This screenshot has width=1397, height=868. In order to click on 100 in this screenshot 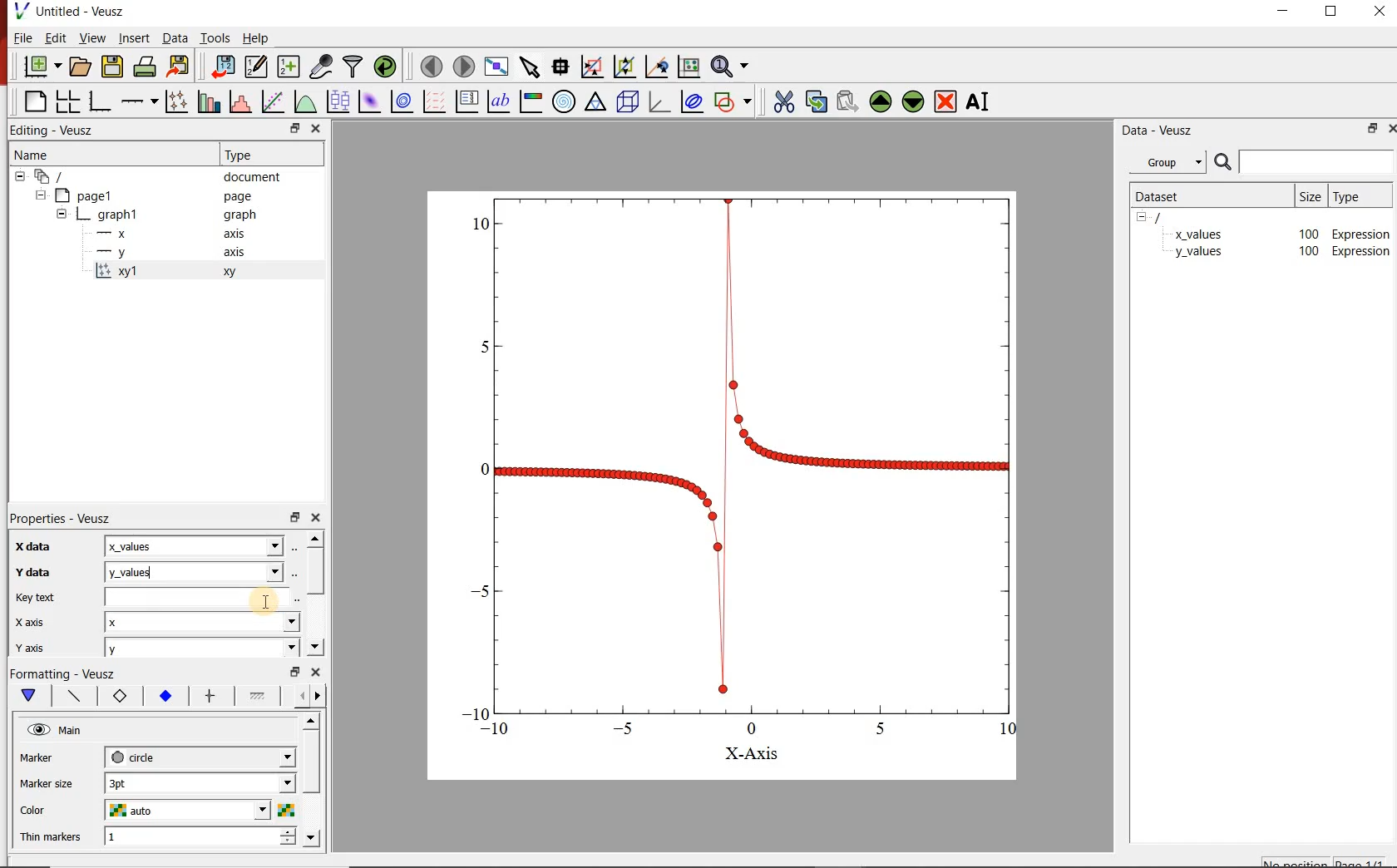, I will do `click(1307, 253)`.